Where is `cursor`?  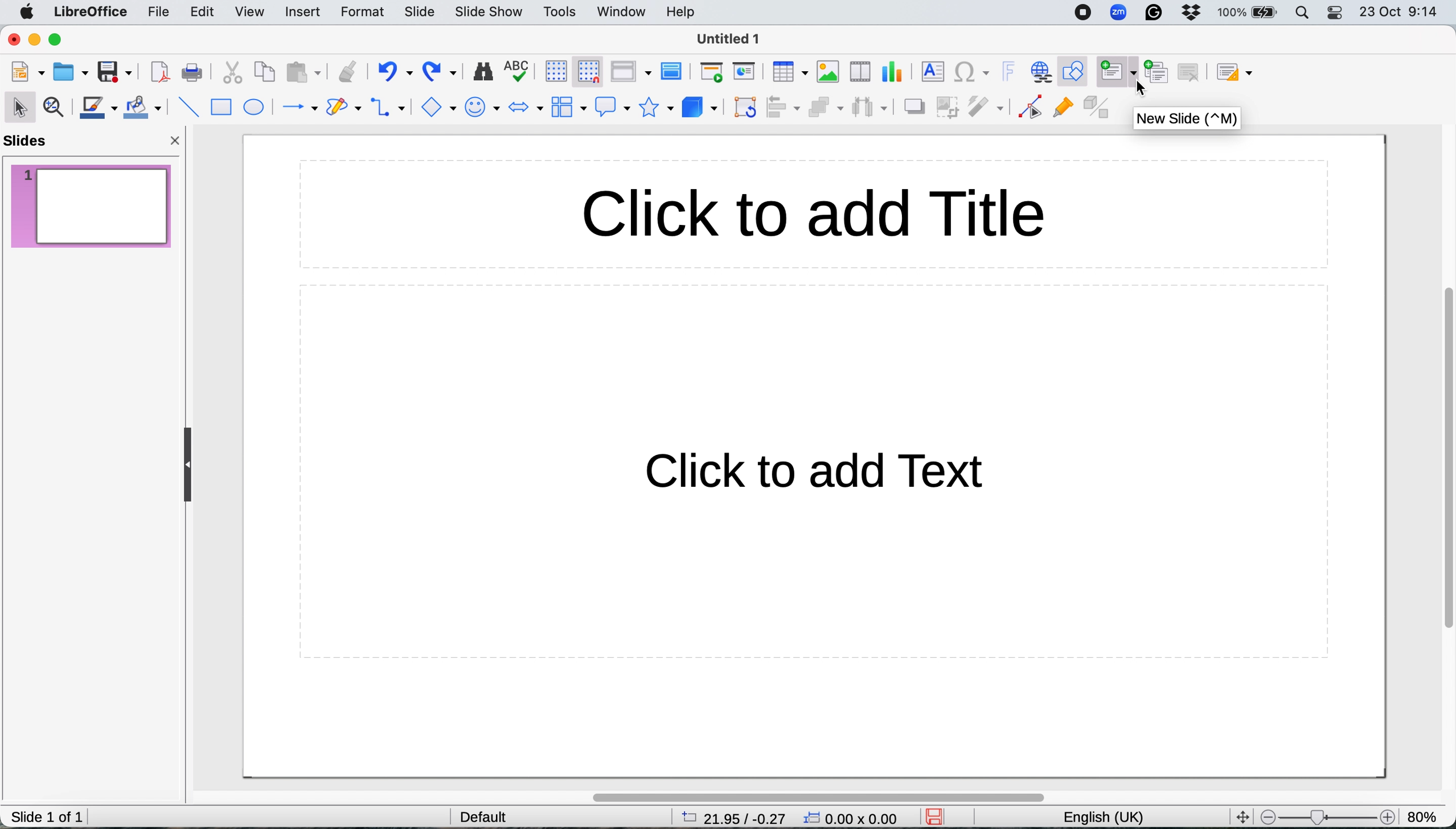 cursor is located at coordinates (1144, 89).